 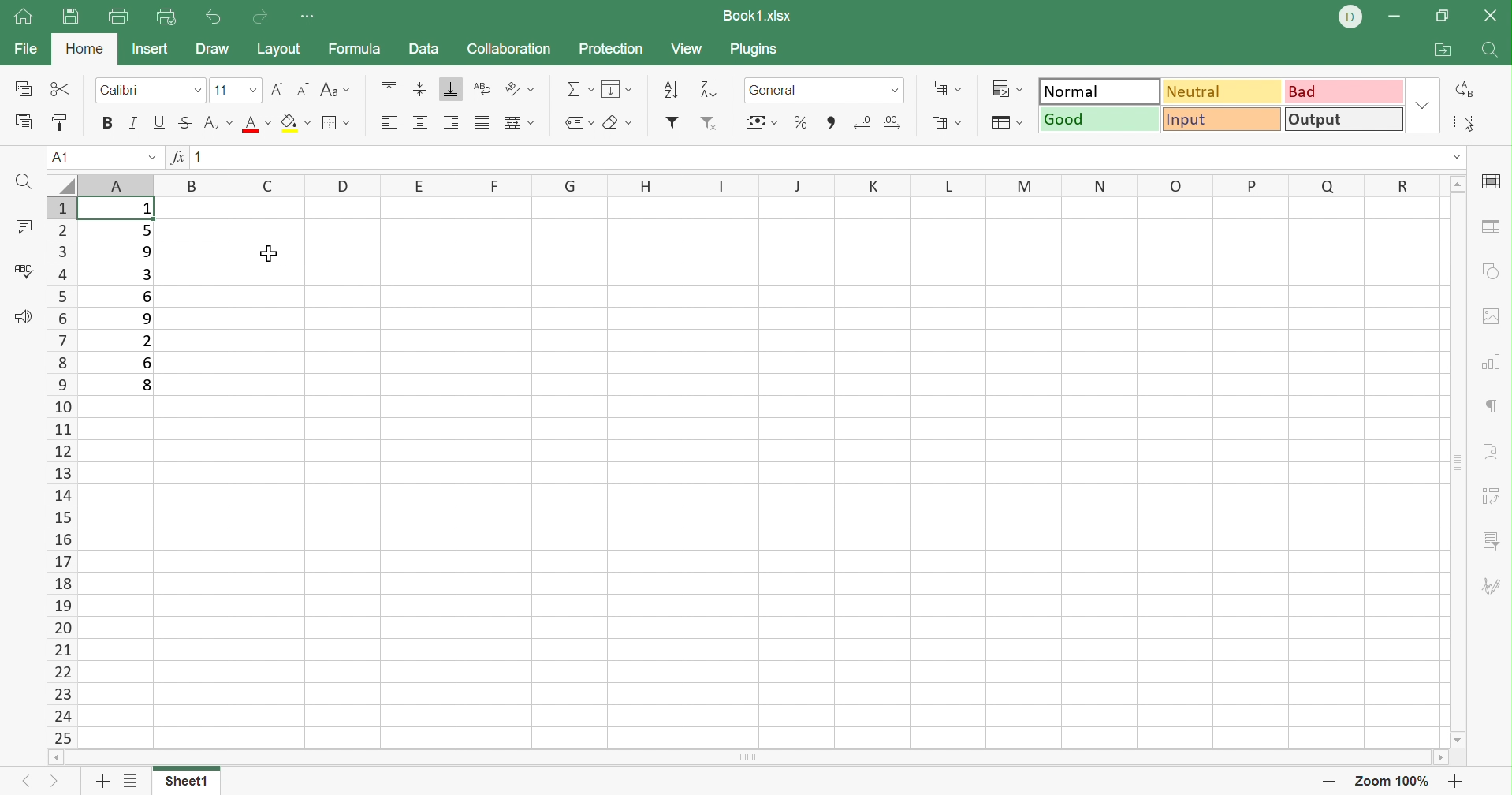 What do you see at coordinates (482, 88) in the screenshot?
I see `Wrap Text` at bounding box center [482, 88].